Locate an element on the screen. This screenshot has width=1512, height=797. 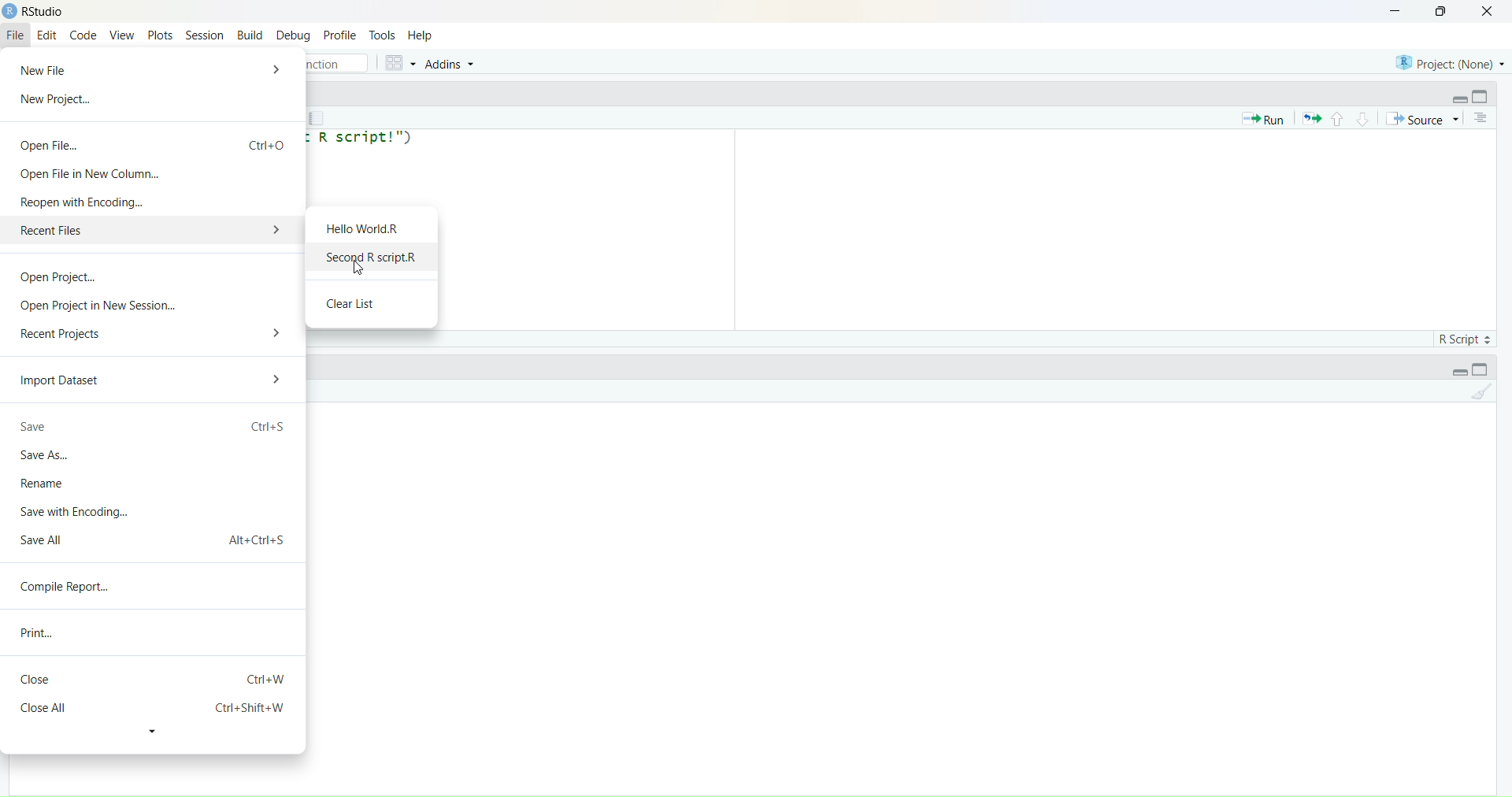
Print... is located at coordinates (42, 632).